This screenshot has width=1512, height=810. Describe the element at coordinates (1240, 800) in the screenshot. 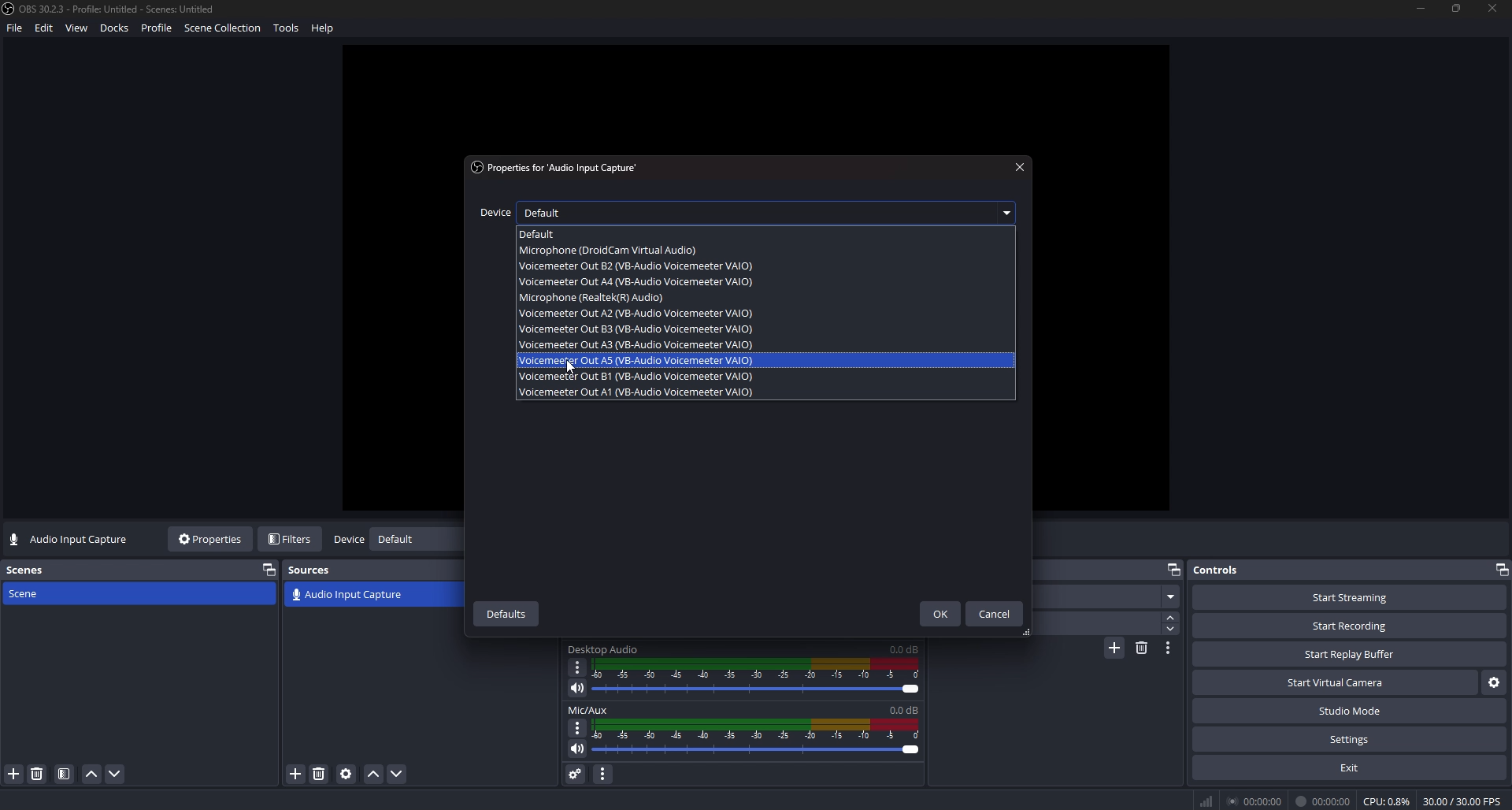

I see `® 00:00:00` at that location.